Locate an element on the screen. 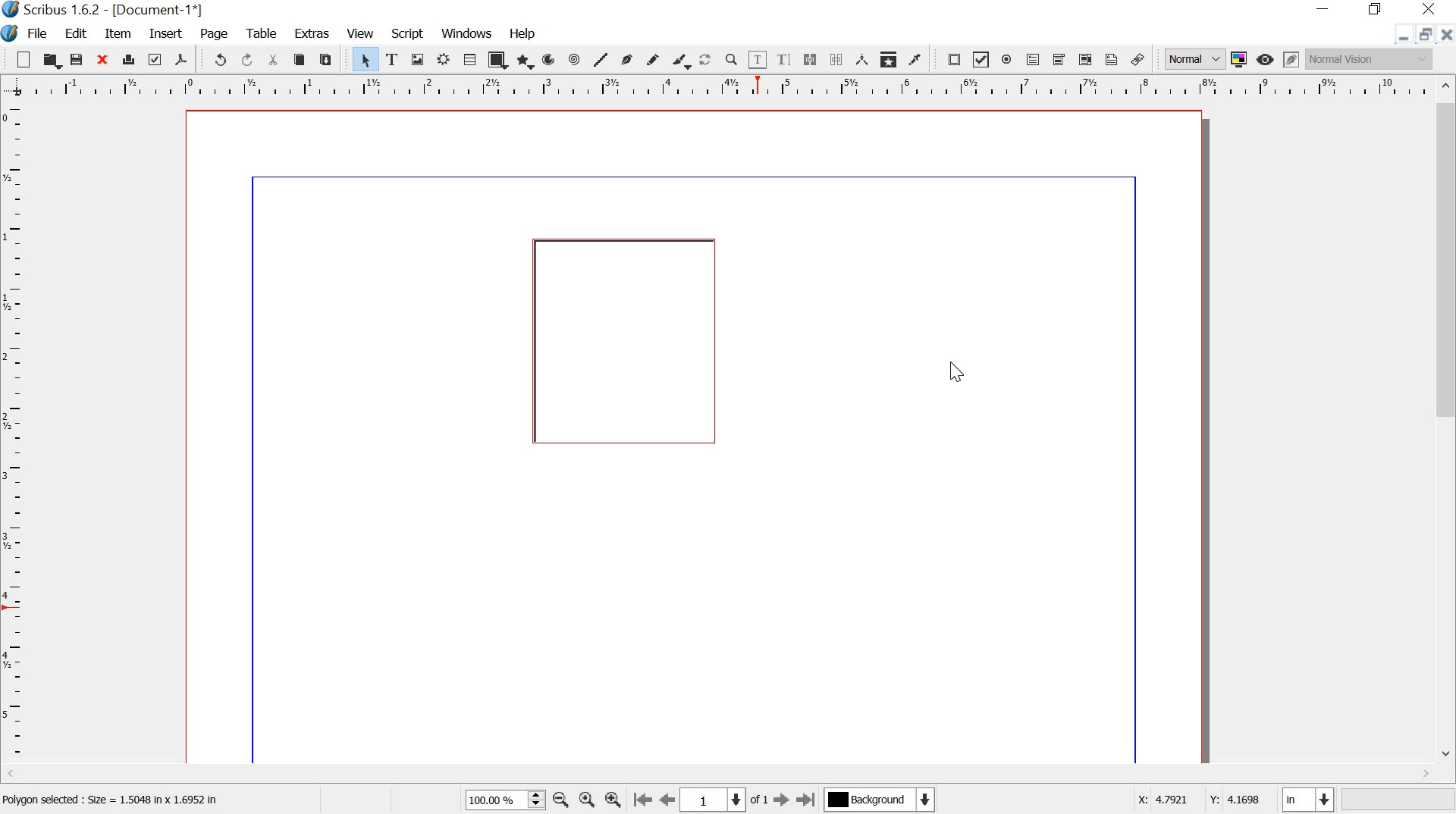  copy is located at coordinates (300, 60).